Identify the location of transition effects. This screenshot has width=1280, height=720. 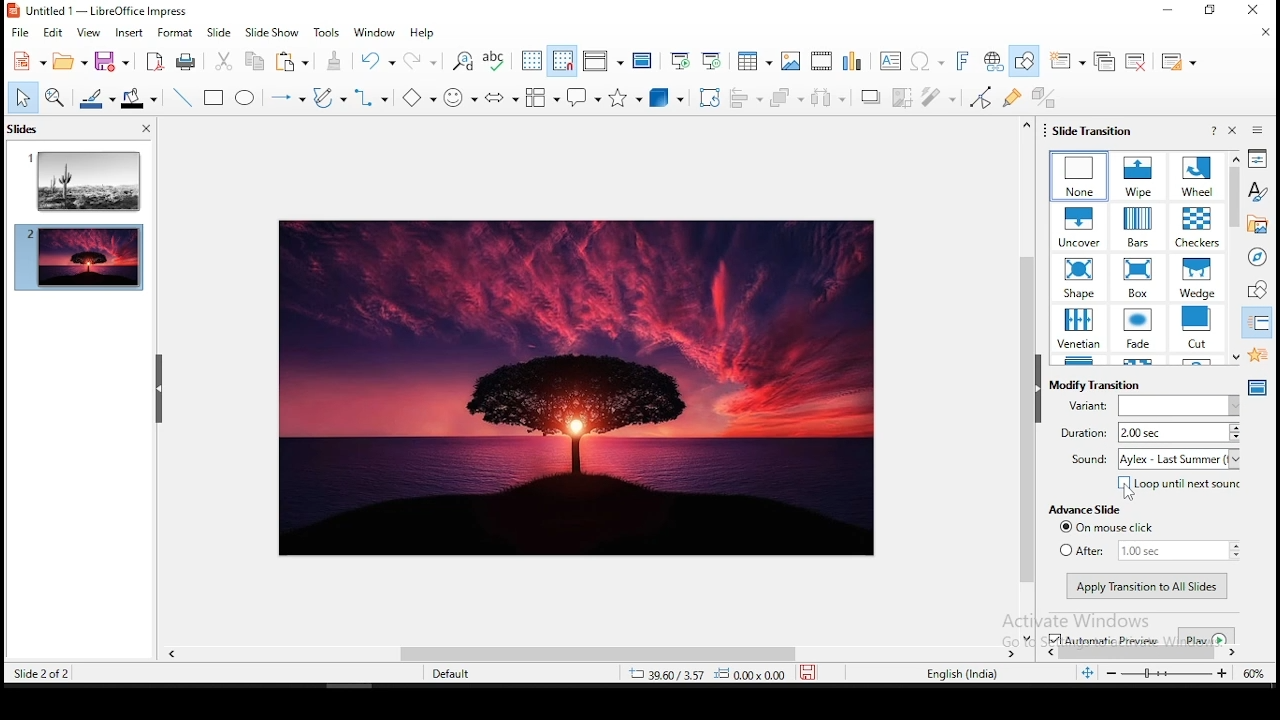
(1080, 228).